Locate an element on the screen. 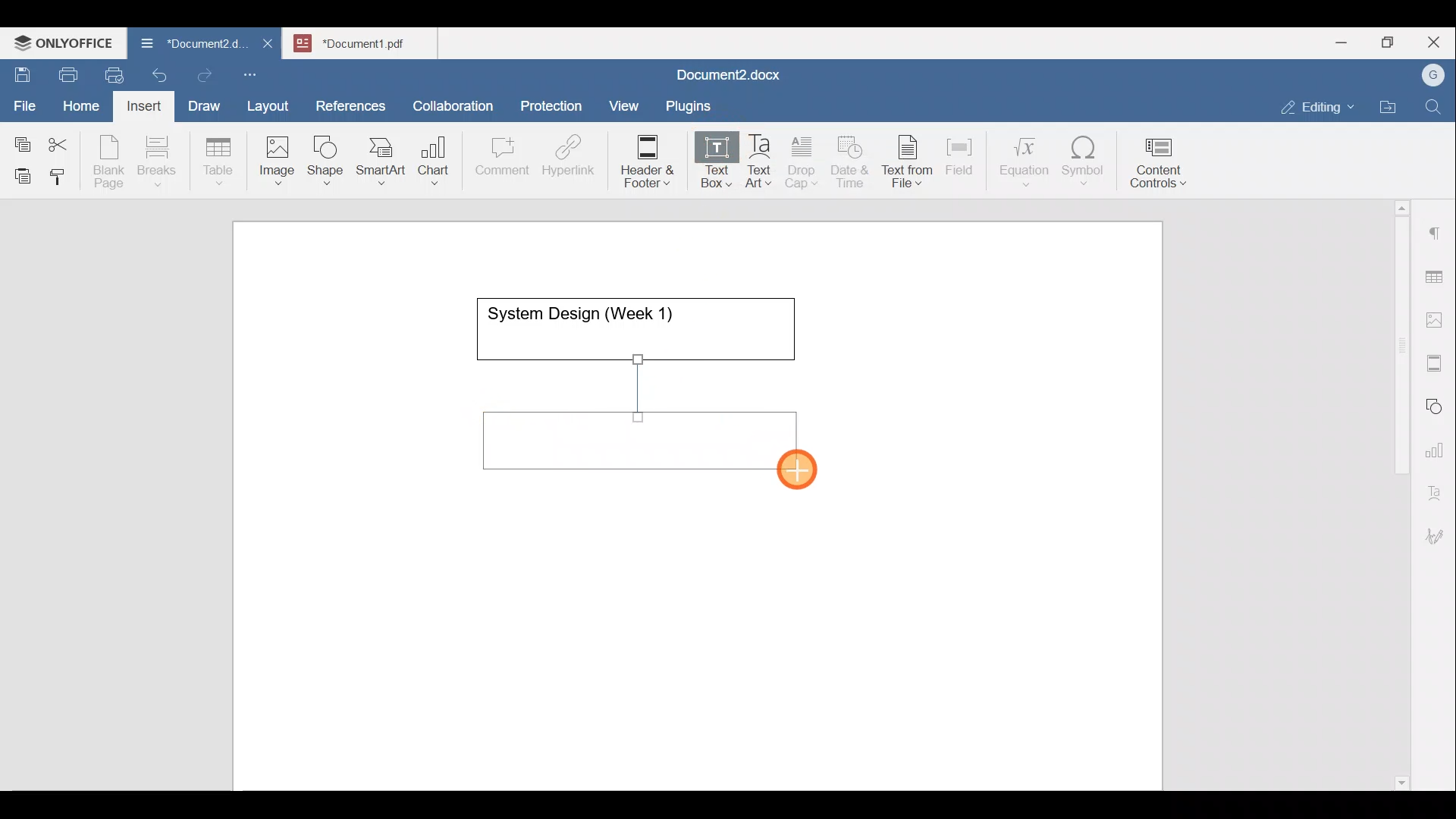  Table is located at coordinates (219, 158).